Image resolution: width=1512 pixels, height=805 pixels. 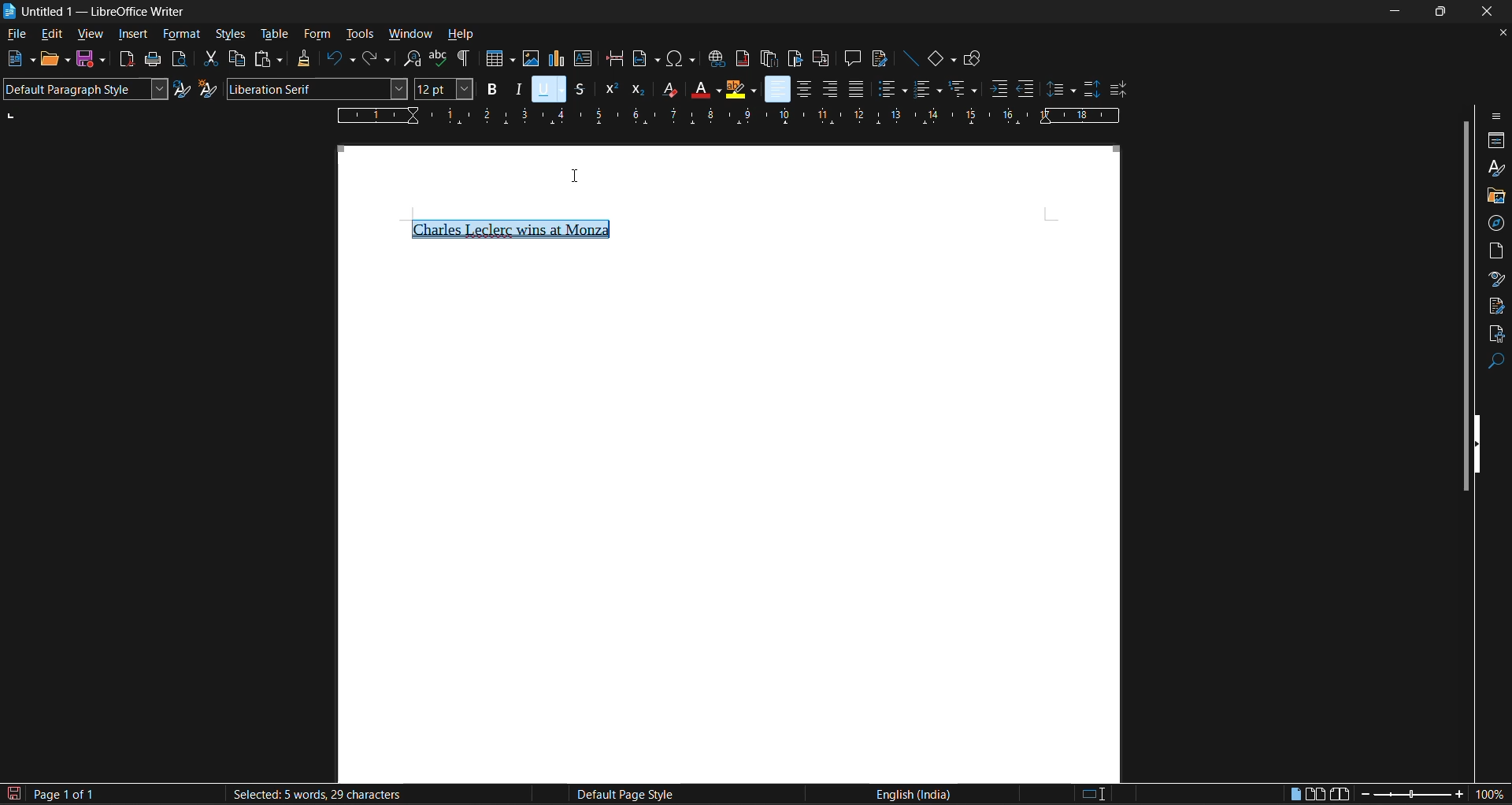 I want to click on subscript, so click(x=639, y=90).